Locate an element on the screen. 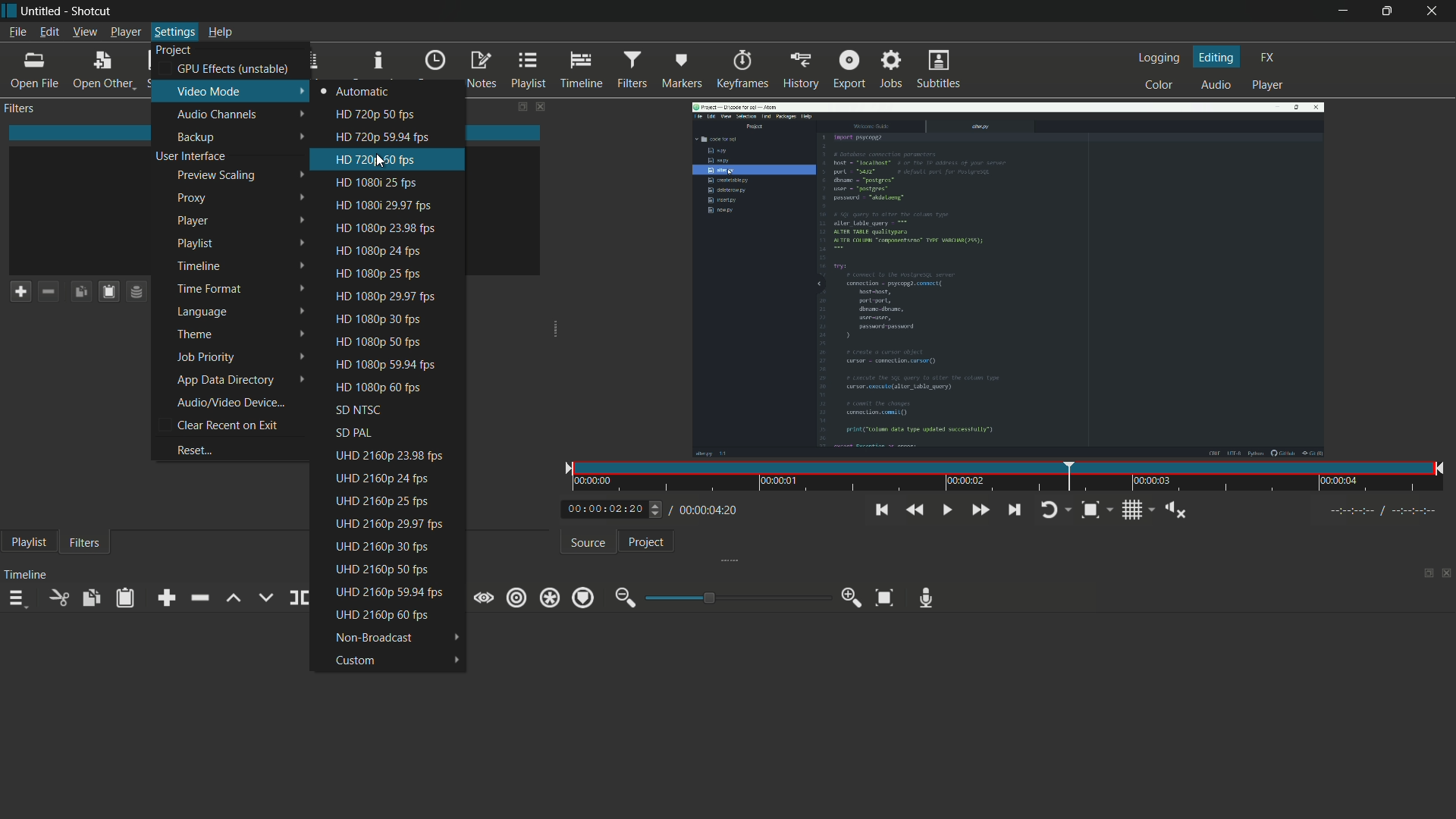  hd 1080p 30 fps is located at coordinates (392, 318).